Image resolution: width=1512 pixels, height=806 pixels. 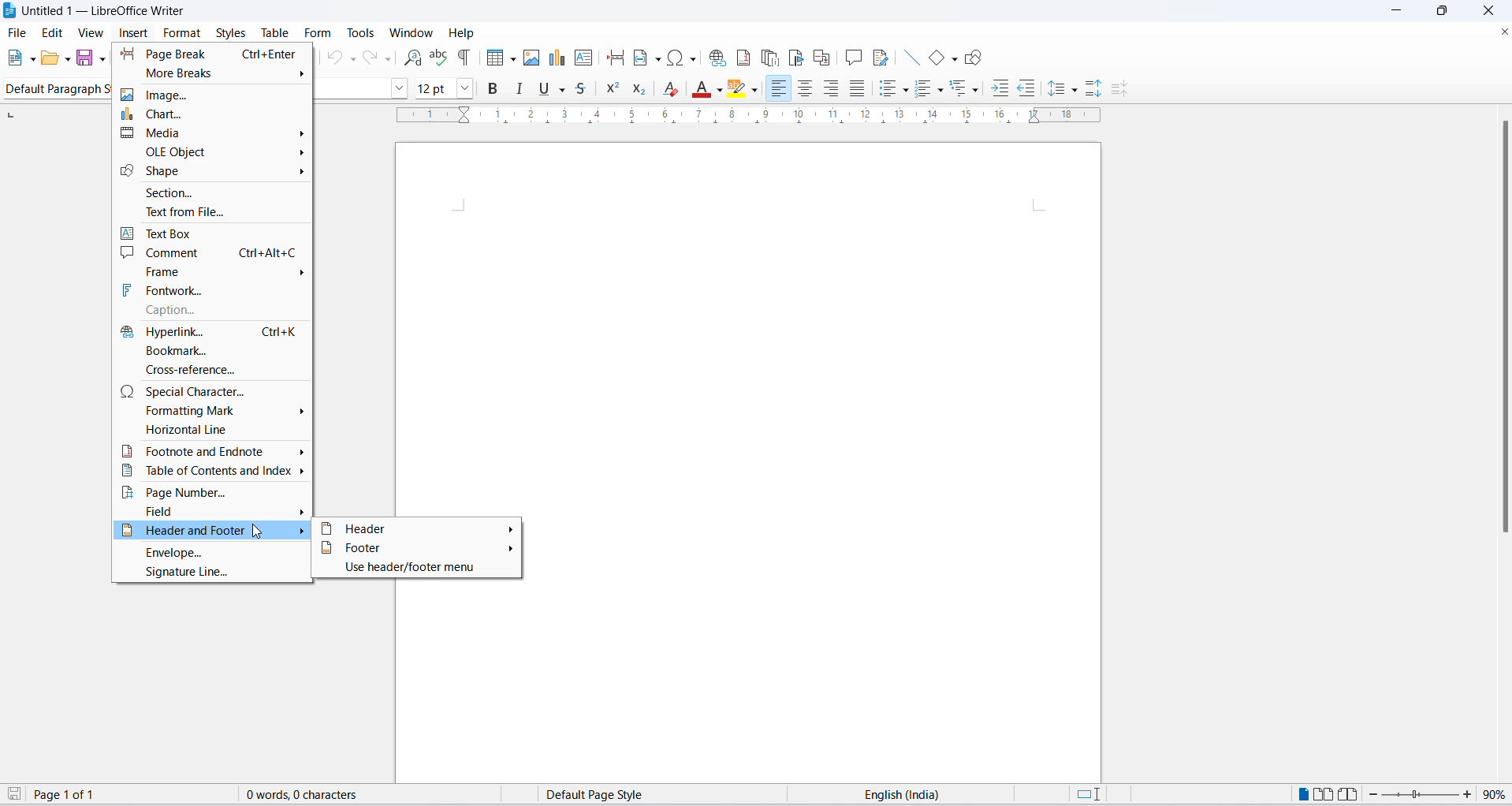 I want to click on use header/footer menu, so click(x=416, y=568).